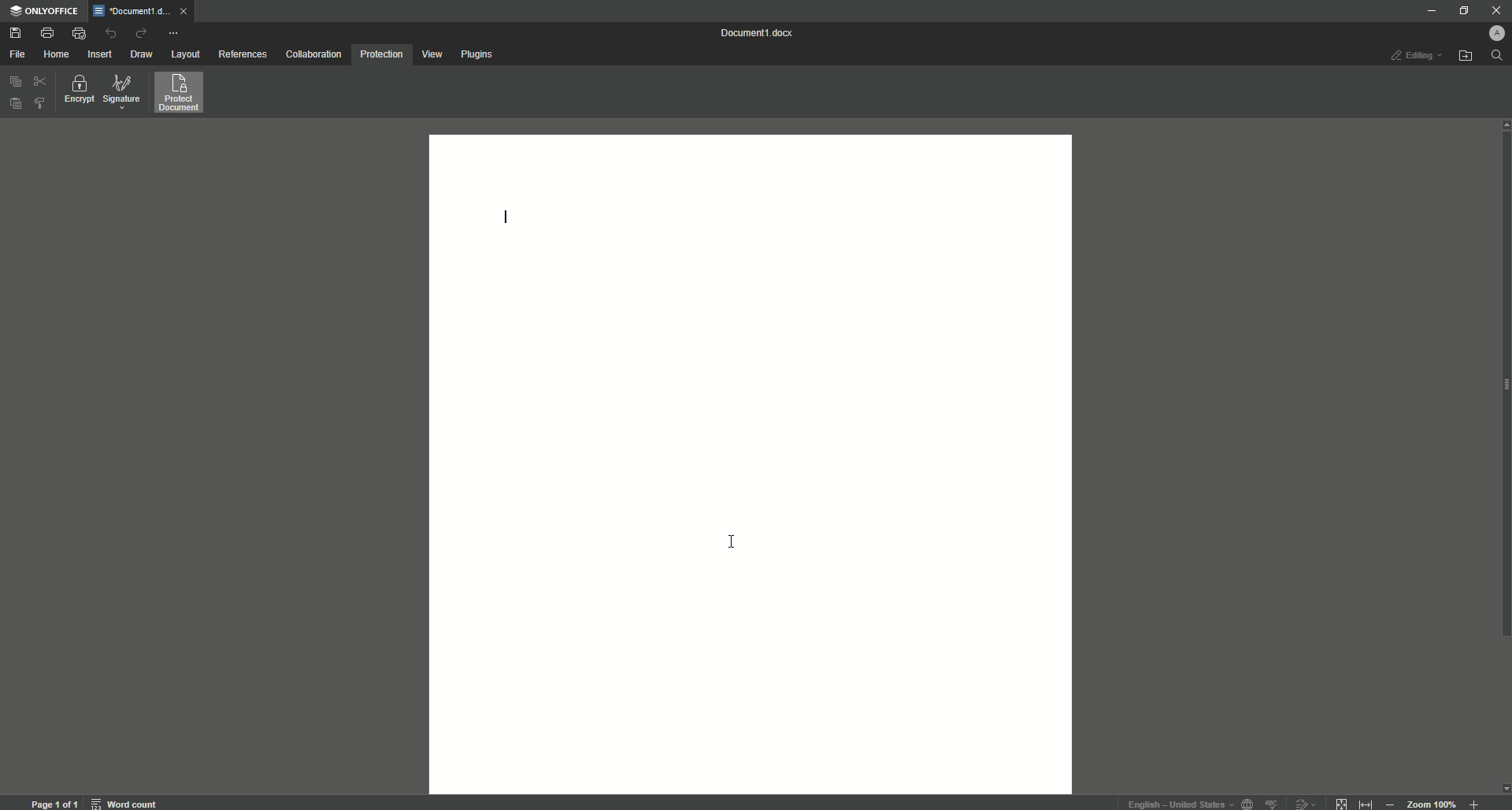 This screenshot has width=1512, height=810. Describe the element at coordinates (172, 32) in the screenshot. I see `More Actions` at that location.